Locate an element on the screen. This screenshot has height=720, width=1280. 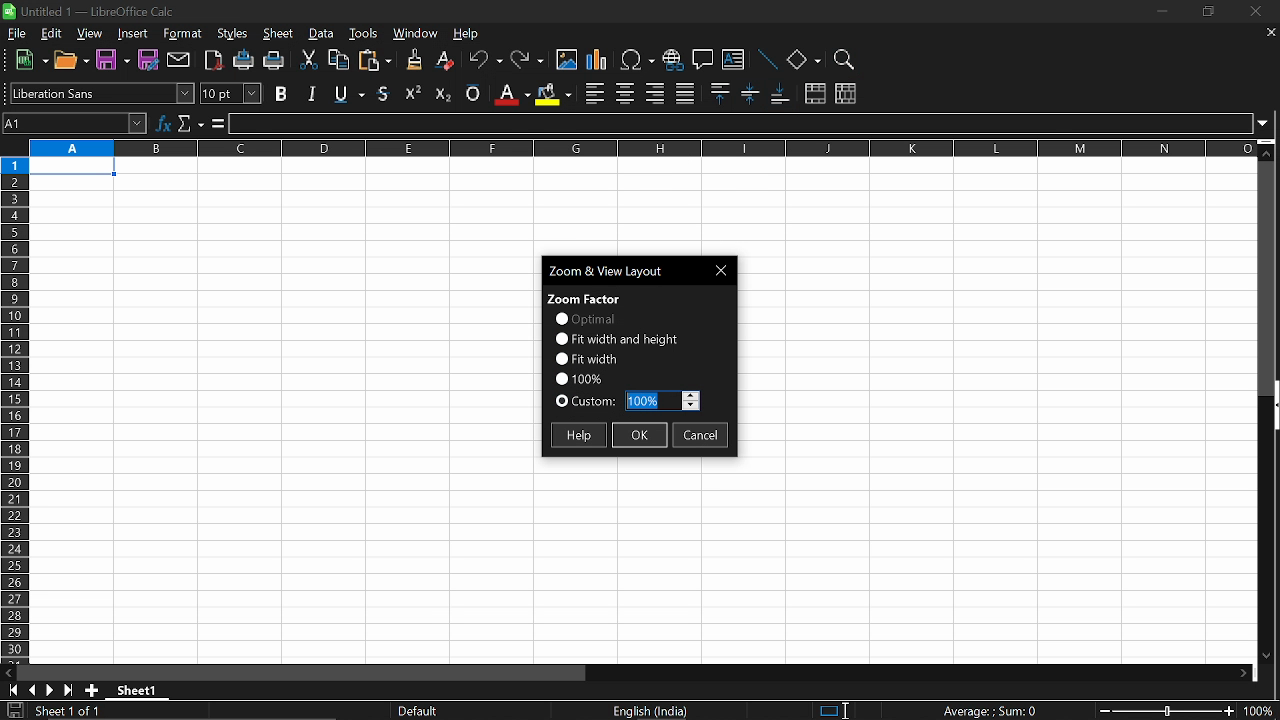
align bottom is located at coordinates (782, 95).